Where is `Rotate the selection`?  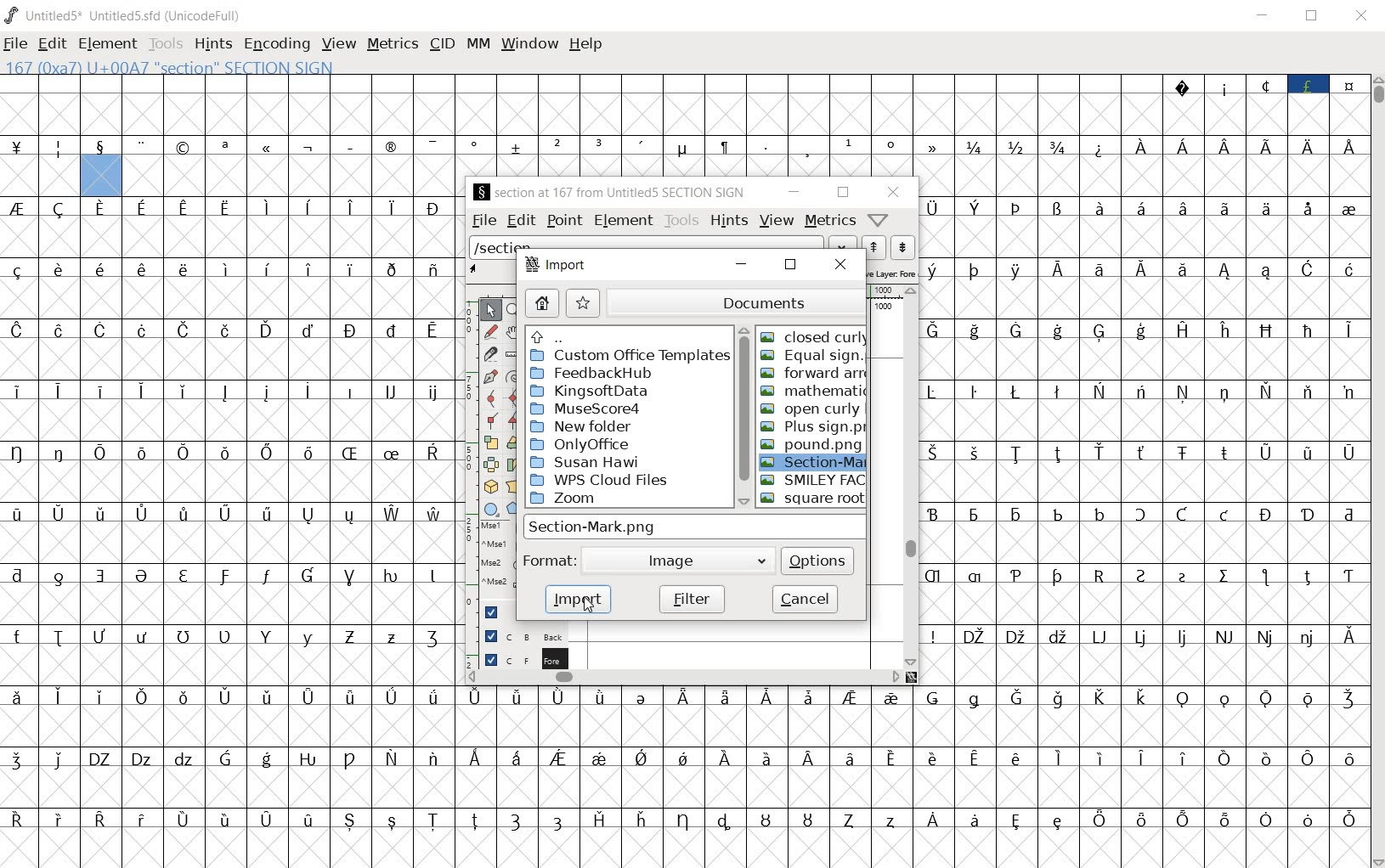
Rotate the selection is located at coordinates (515, 442).